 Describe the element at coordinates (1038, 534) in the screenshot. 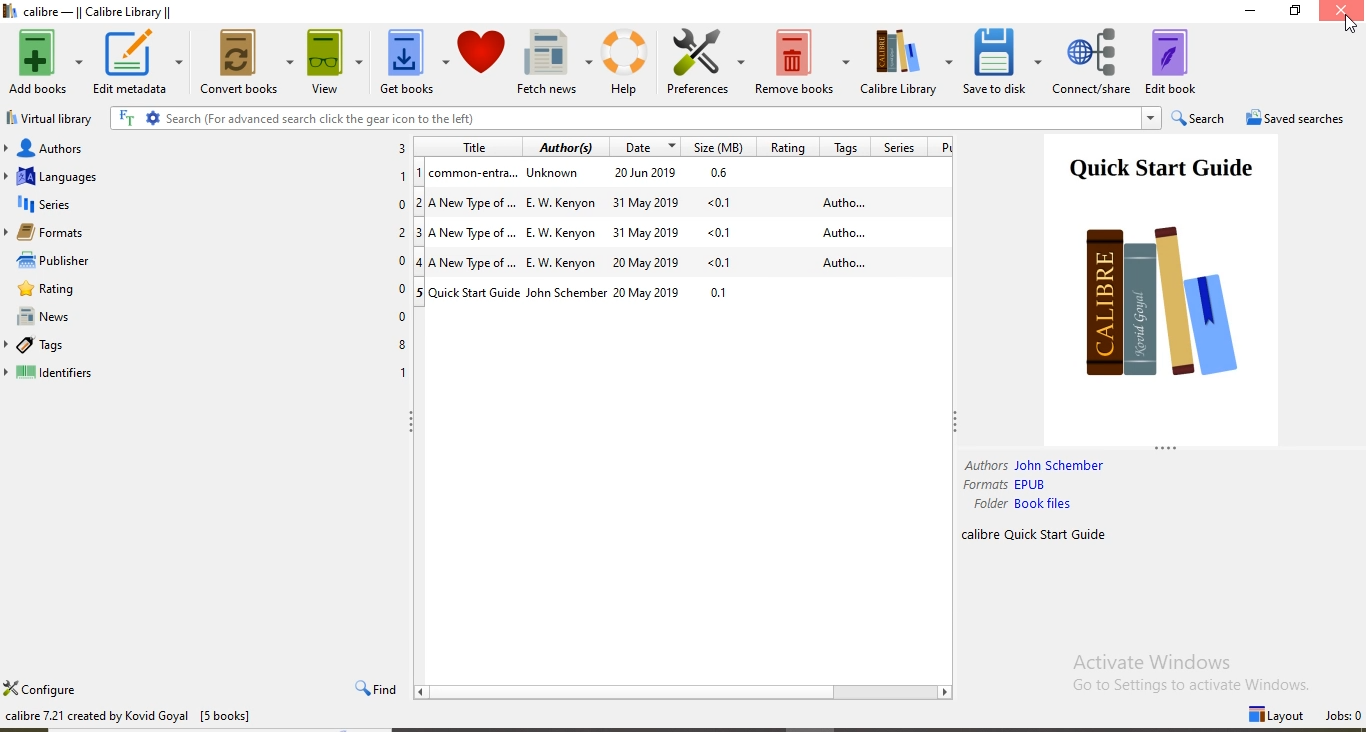

I see `calibre Quick Start Guide` at that location.